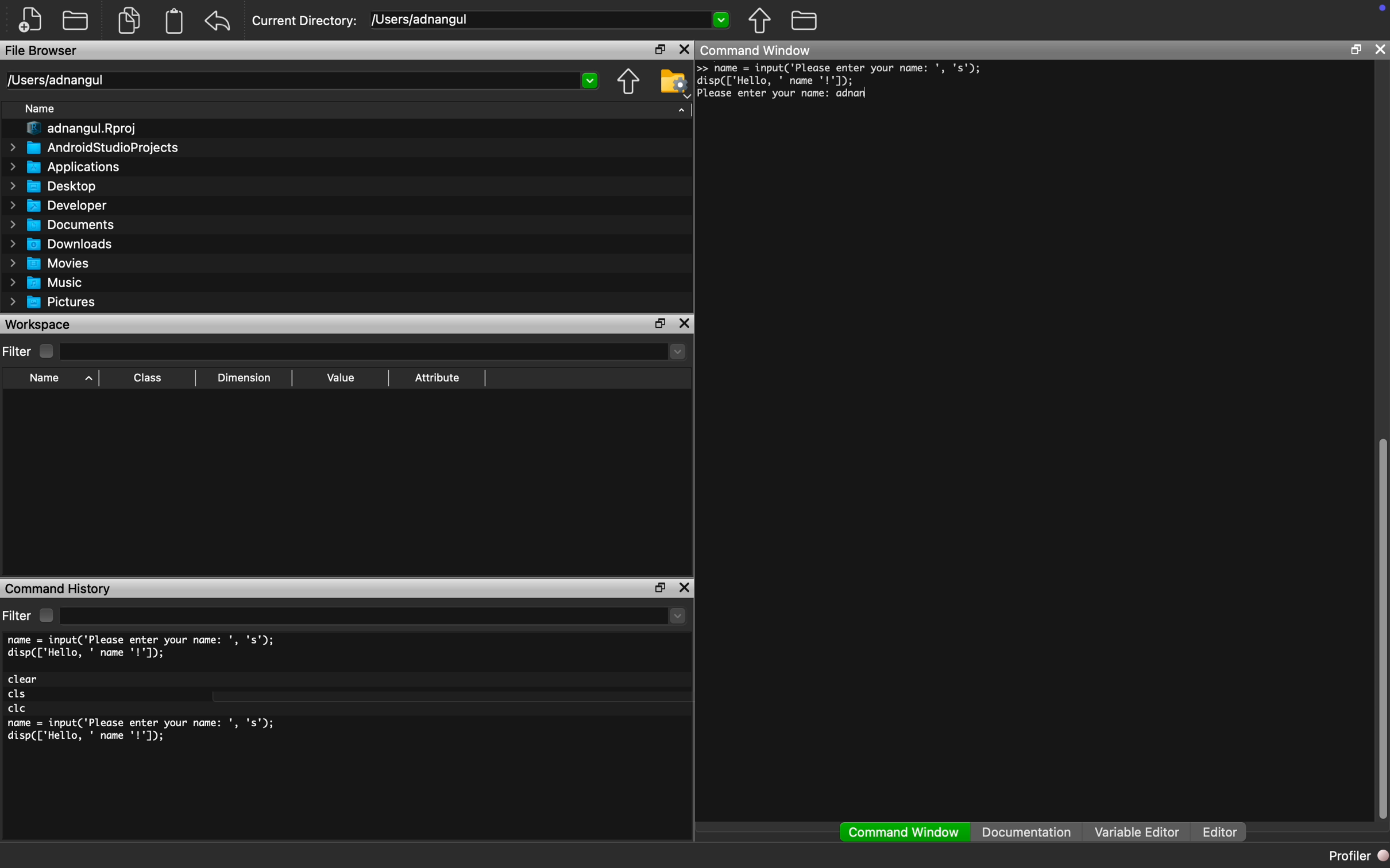 The height and width of the screenshot is (868, 1390). Describe the element at coordinates (658, 48) in the screenshot. I see `maximize` at that location.